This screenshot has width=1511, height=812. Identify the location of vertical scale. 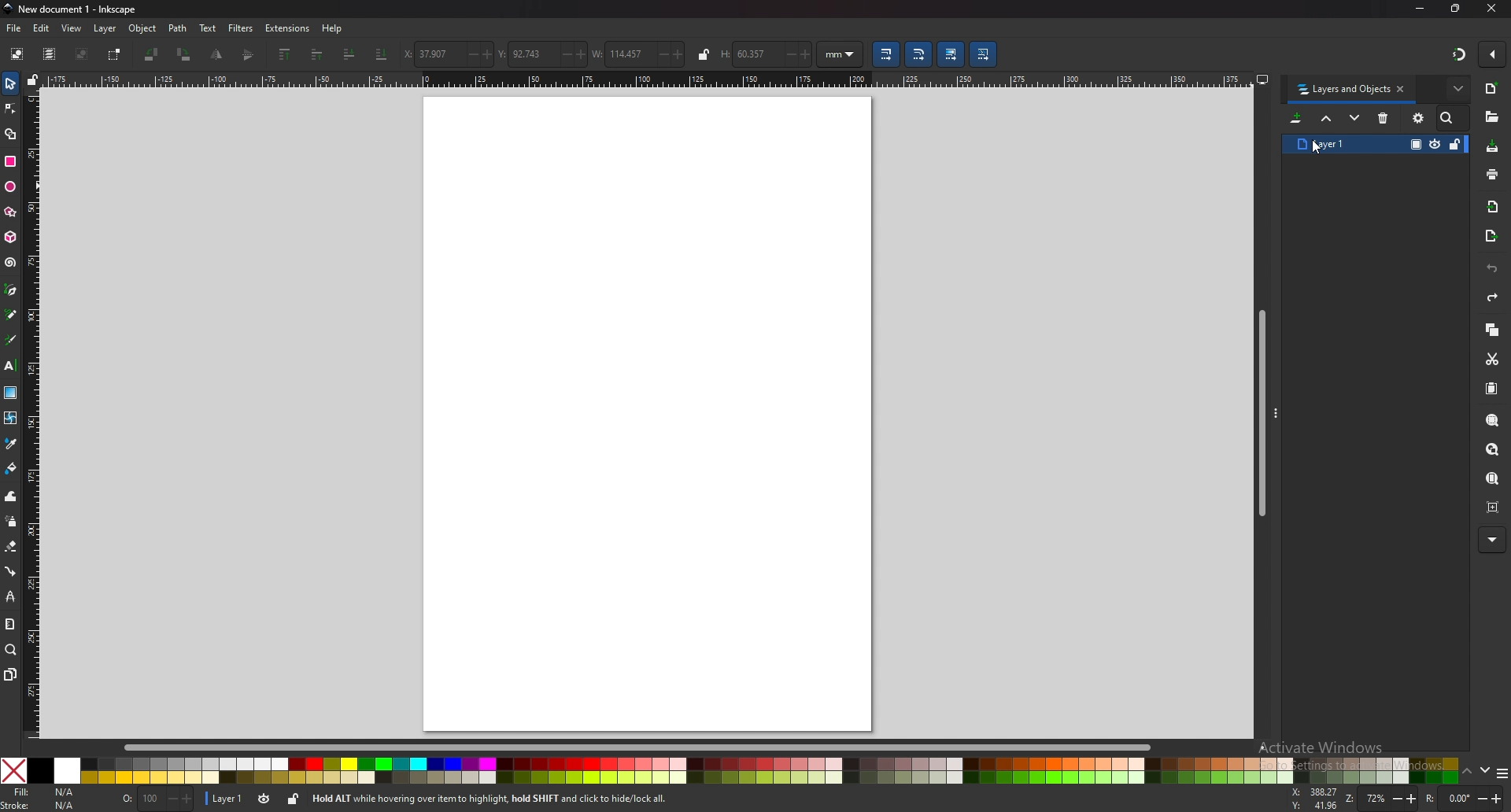
(33, 410).